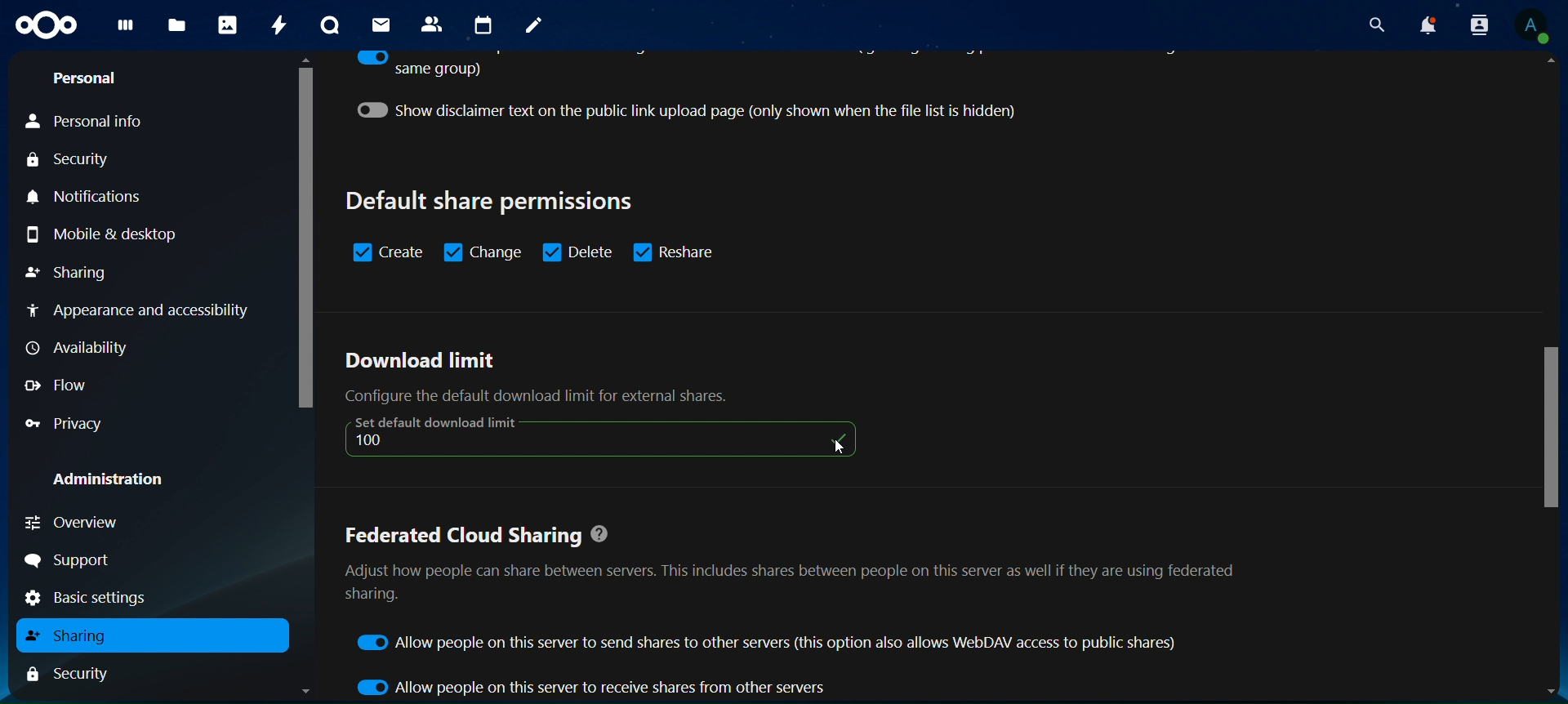 The width and height of the screenshot is (1568, 704). What do you see at coordinates (1552, 377) in the screenshot?
I see `Scrollbar` at bounding box center [1552, 377].